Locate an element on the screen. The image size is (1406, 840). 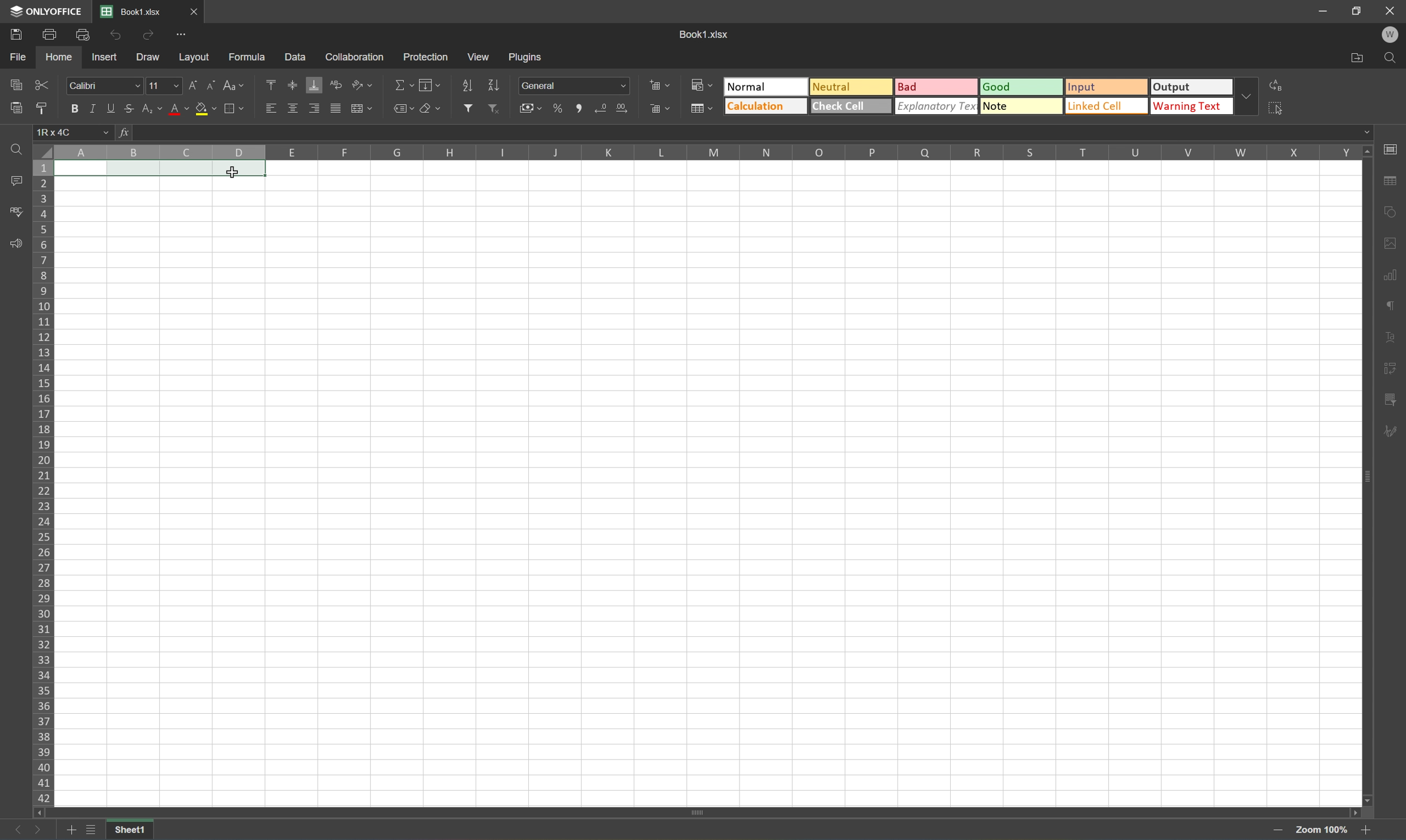
find is located at coordinates (15, 151).